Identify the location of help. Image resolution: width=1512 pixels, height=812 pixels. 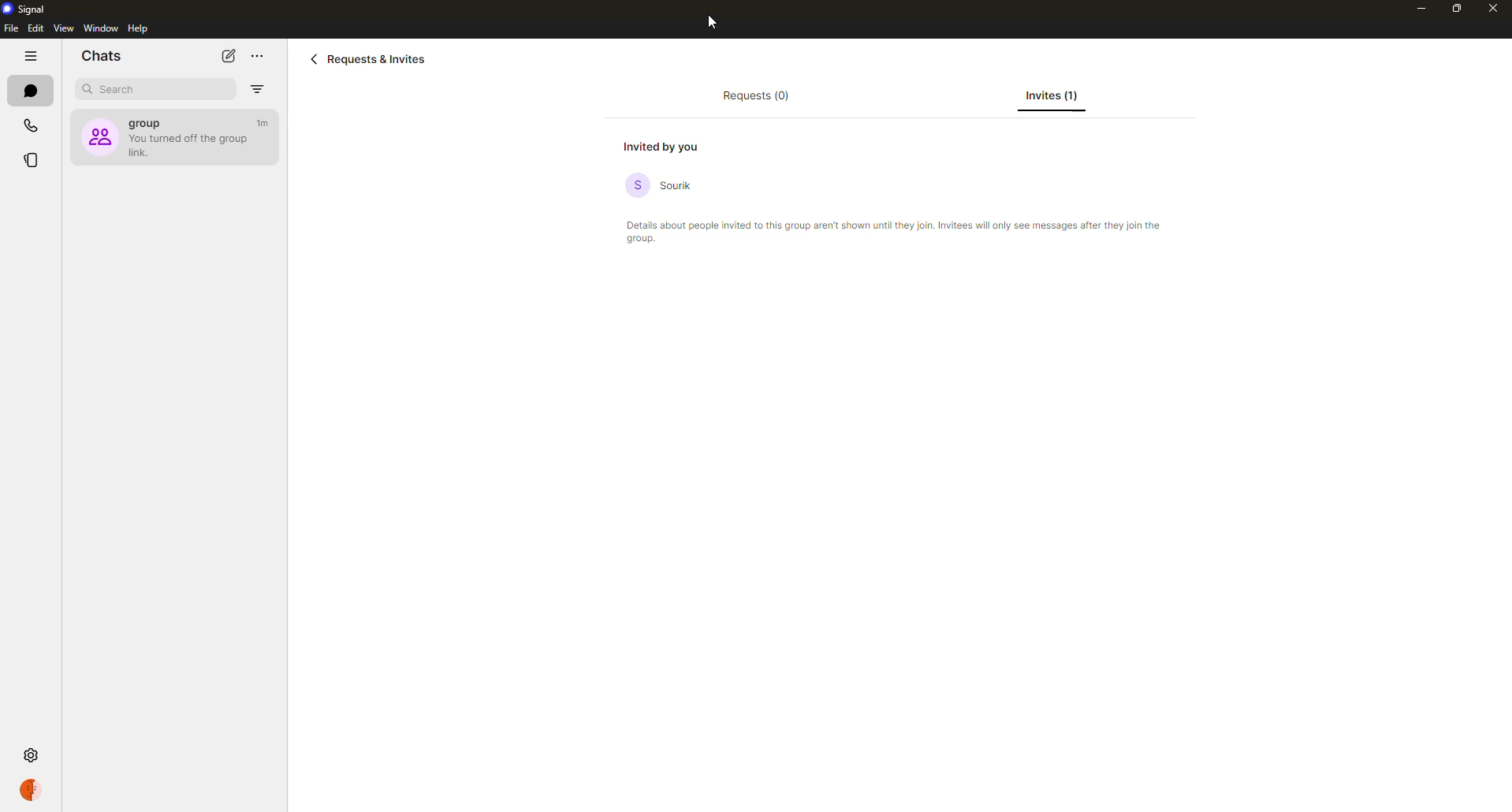
(136, 29).